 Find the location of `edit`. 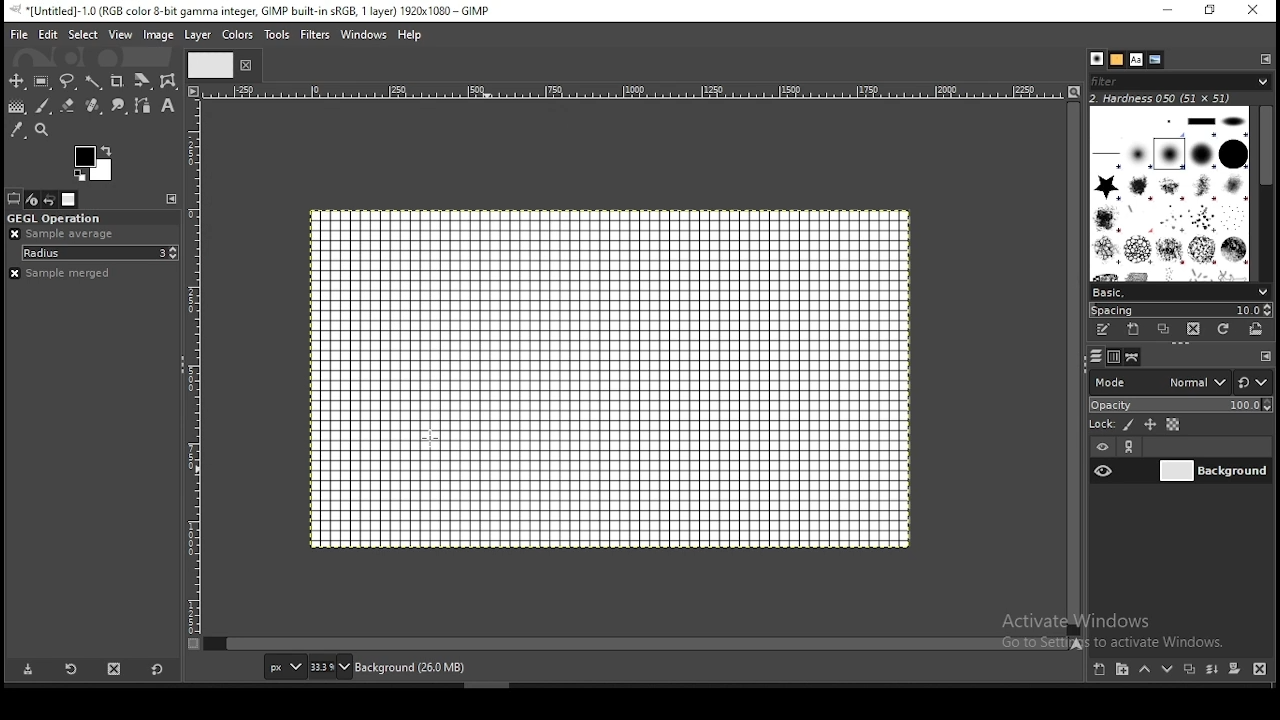

edit is located at coordinates (48, 35).